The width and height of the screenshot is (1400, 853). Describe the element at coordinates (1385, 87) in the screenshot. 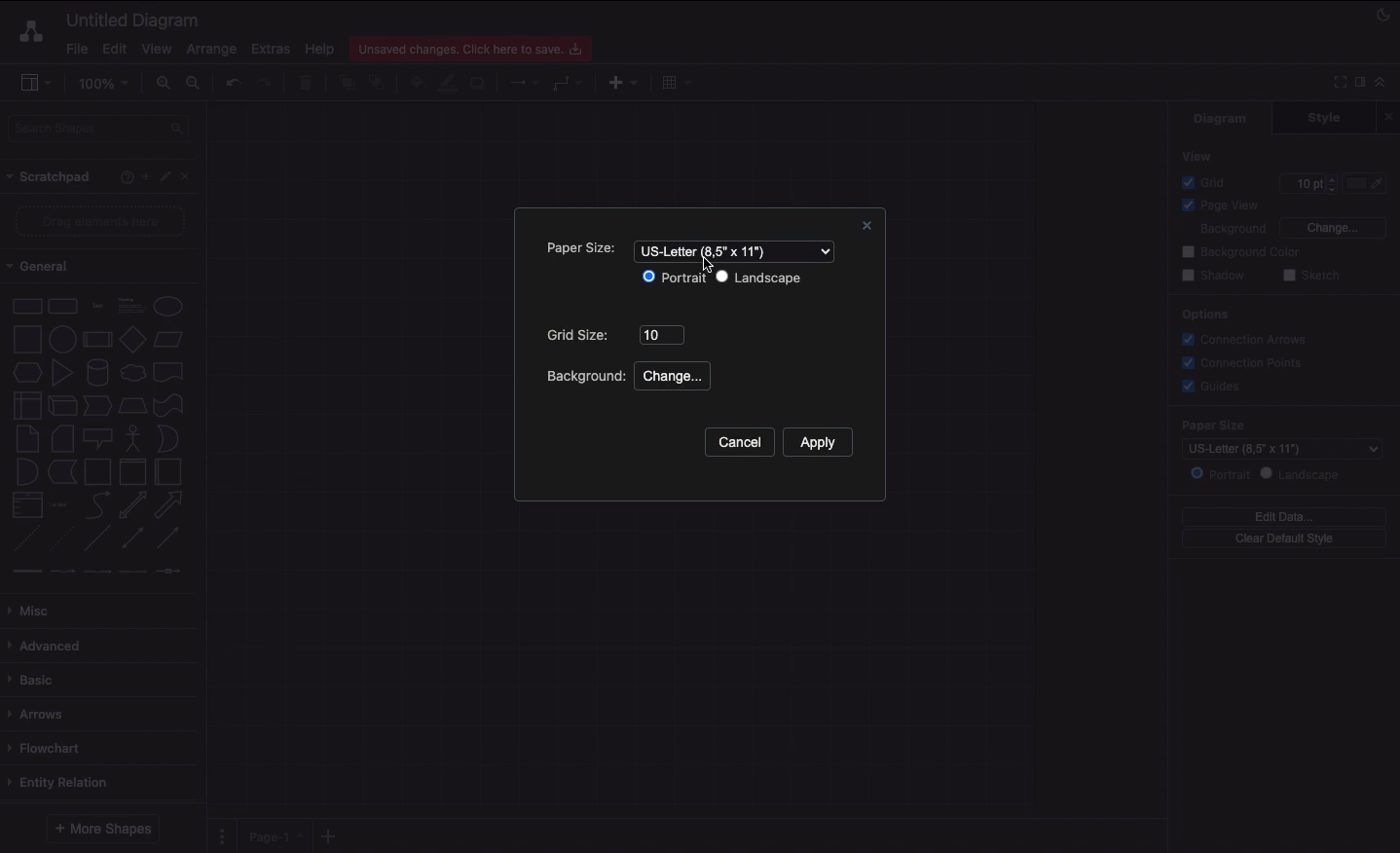

I see `Collapse expand` at that location.